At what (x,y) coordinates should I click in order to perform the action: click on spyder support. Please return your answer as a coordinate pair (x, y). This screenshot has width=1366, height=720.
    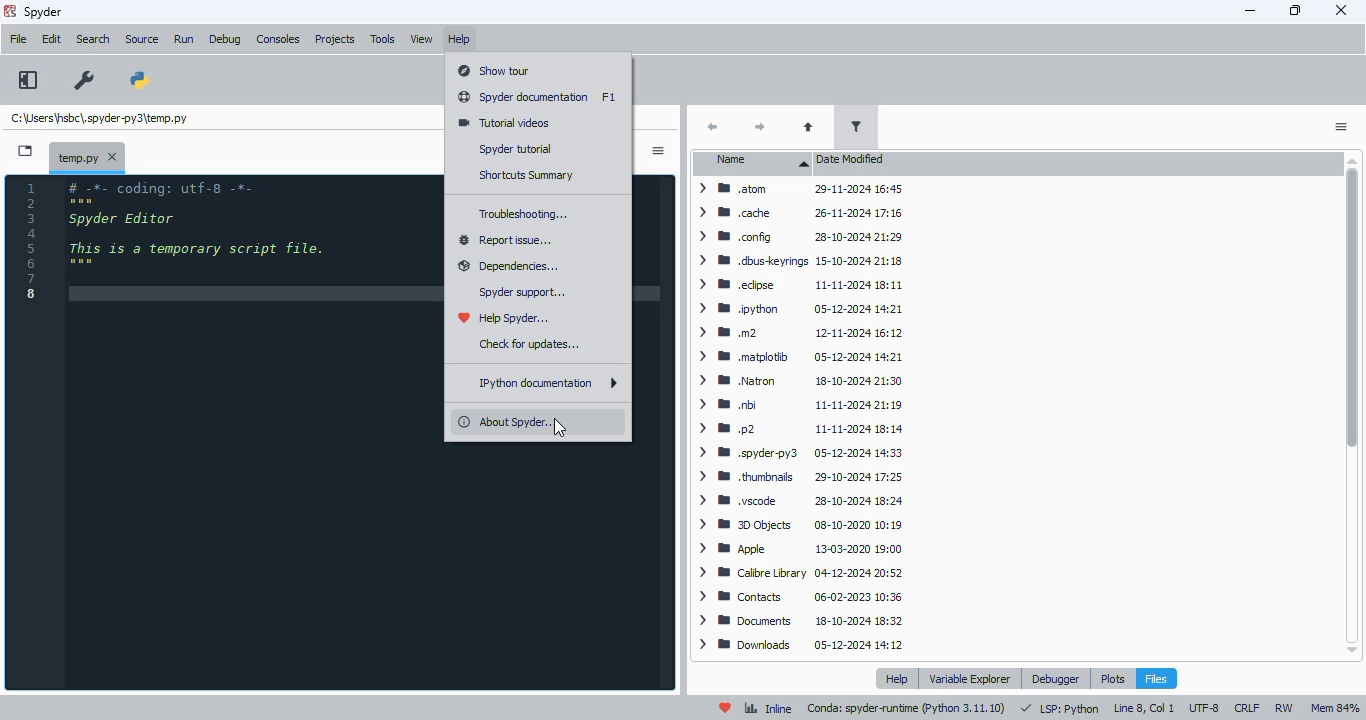
    Looking at the image, I should click on (522, 293).